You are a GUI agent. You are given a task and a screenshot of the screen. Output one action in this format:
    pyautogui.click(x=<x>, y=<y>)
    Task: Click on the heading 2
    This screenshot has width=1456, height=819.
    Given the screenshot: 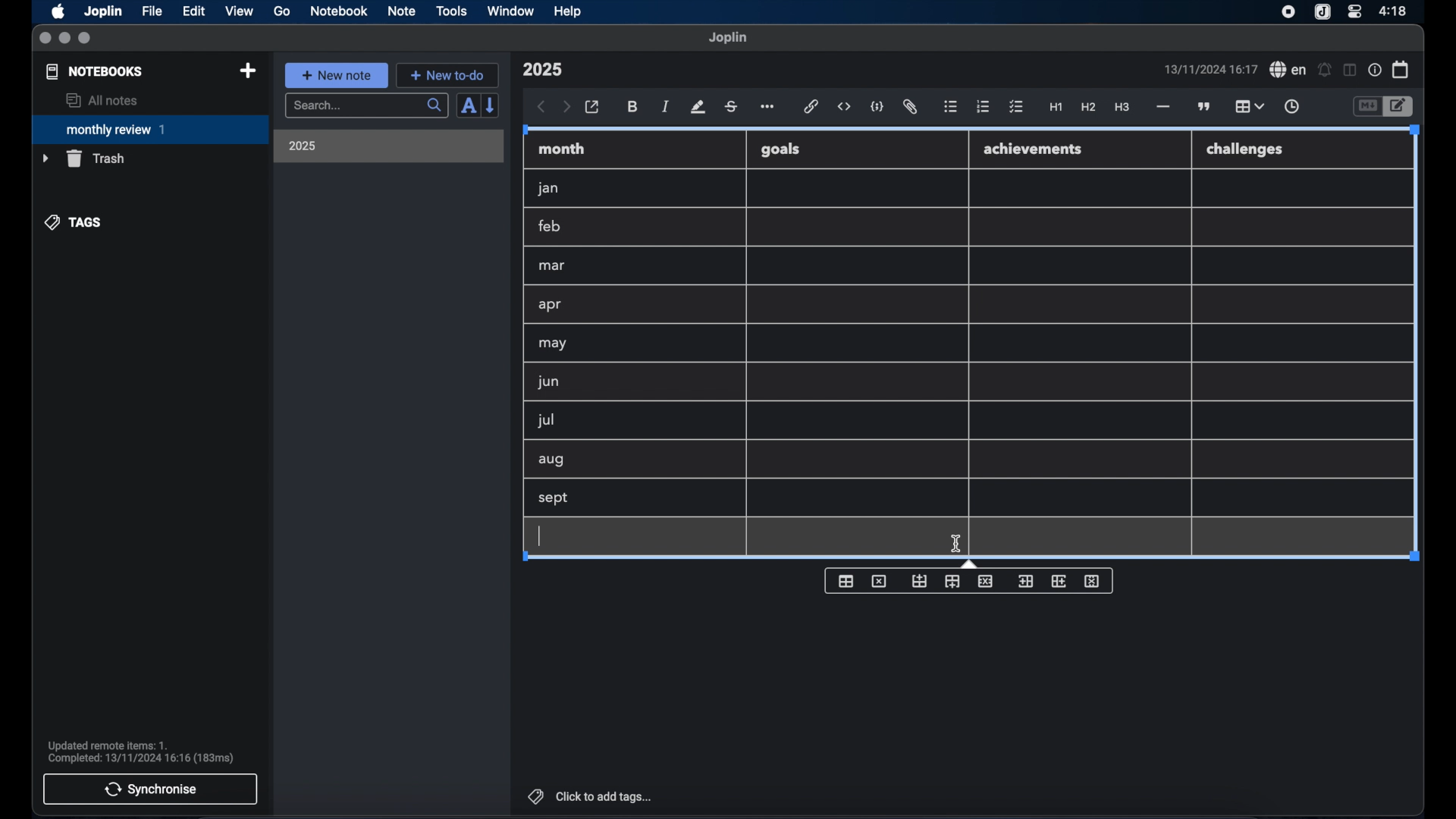 What is the action you would take?
    pyautogui.click(x=1089, y=108)
    